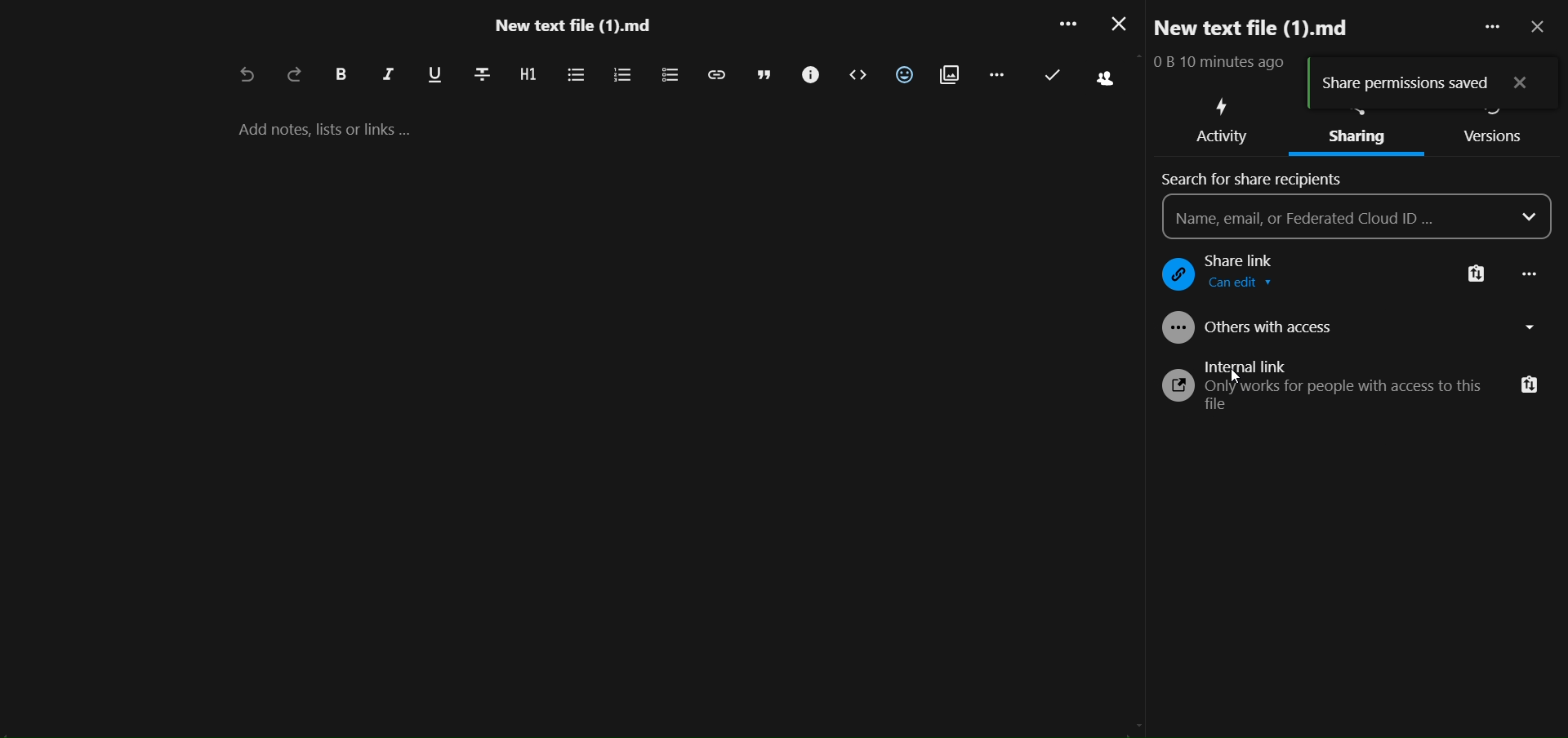 Image resolution: width=1568 pixels, height=738 pixels. I want to click on heading, so click(527, 75).